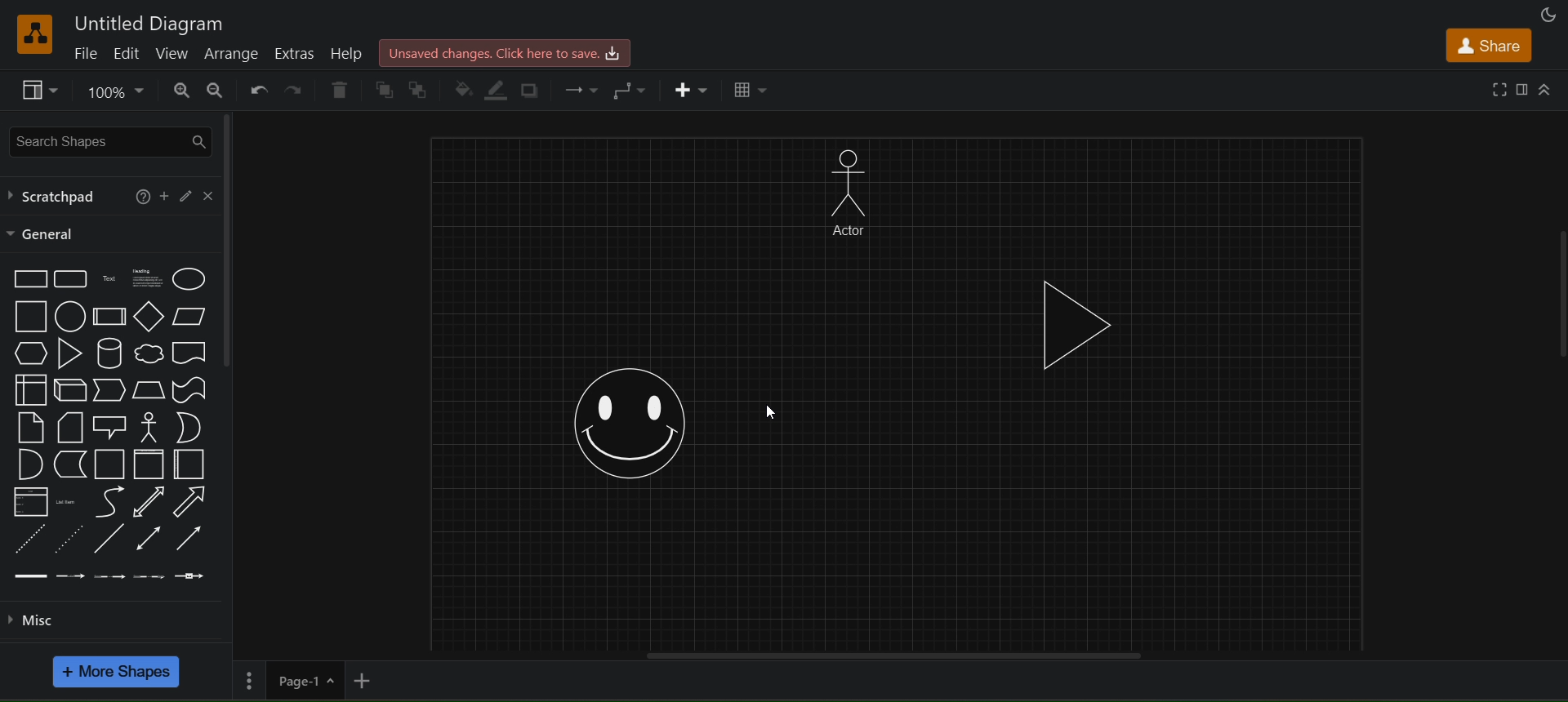 The width and height of the screenshot is (1568, 702). I want to click on insert , so click(693, 91).